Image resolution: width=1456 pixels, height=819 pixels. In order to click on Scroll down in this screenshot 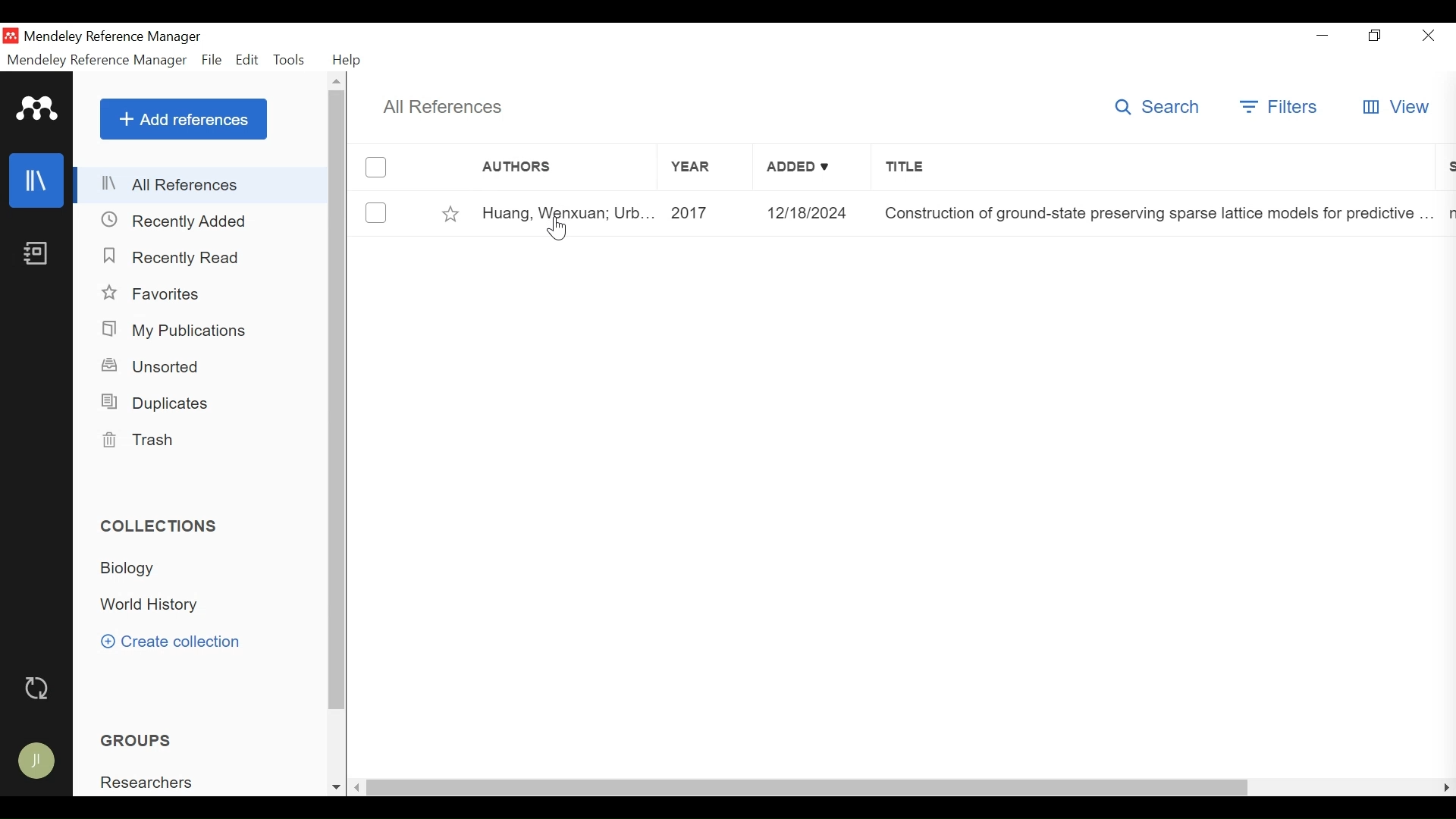, I will do `click(336, 788)`.